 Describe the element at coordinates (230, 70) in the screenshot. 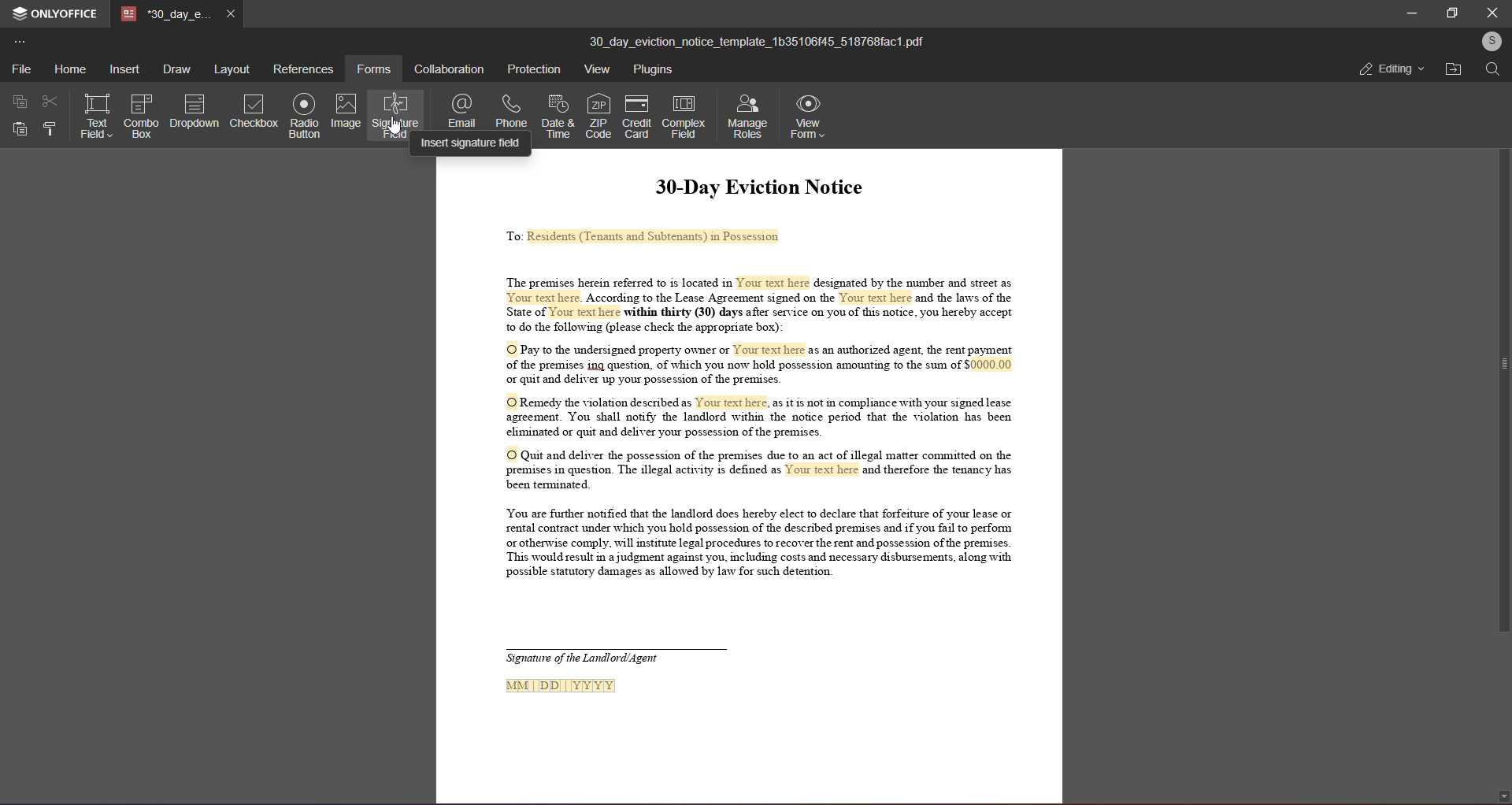

I see `layout` at that location.